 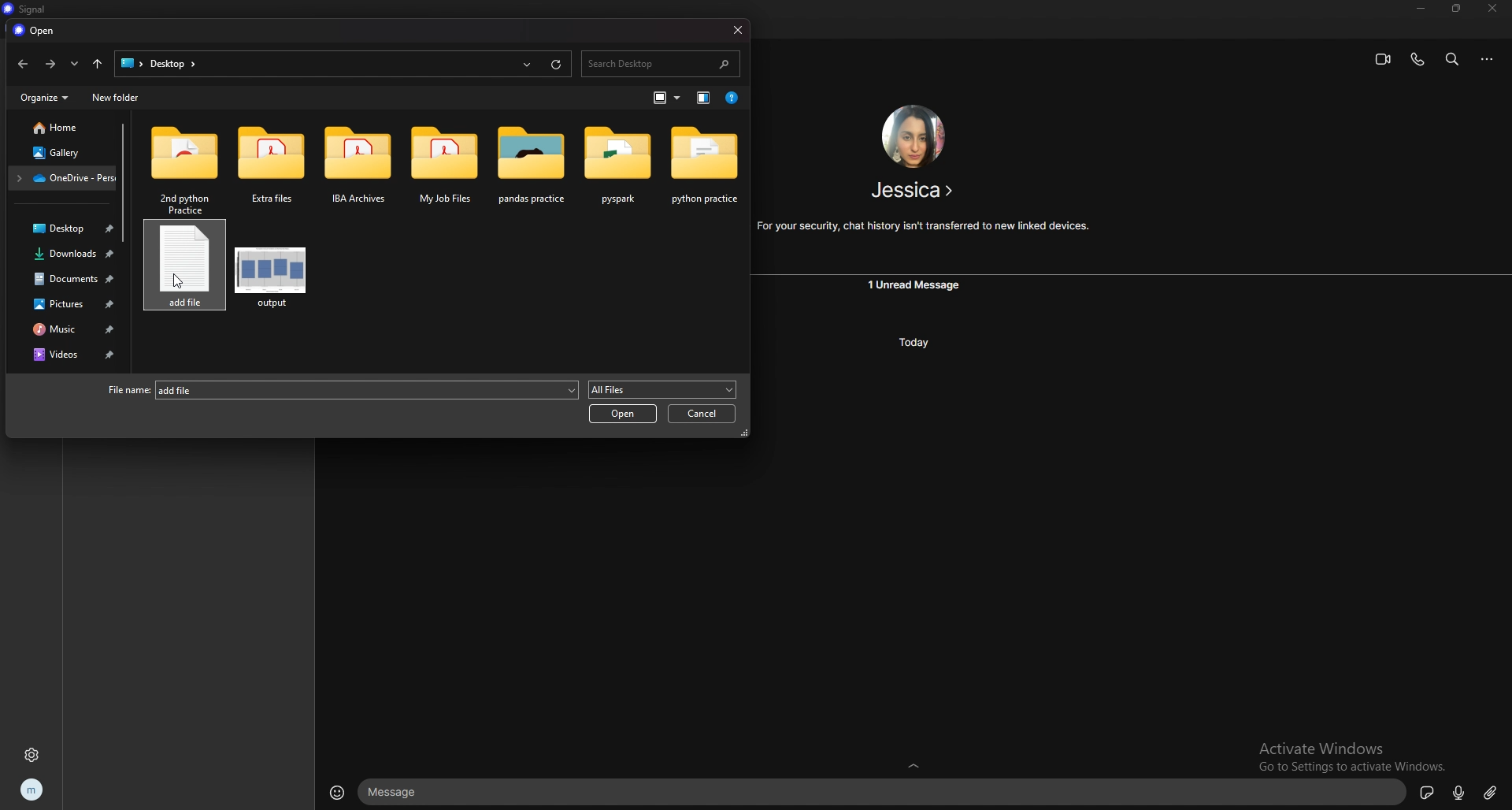 I want to click on options, so click(x=1488, y=59).